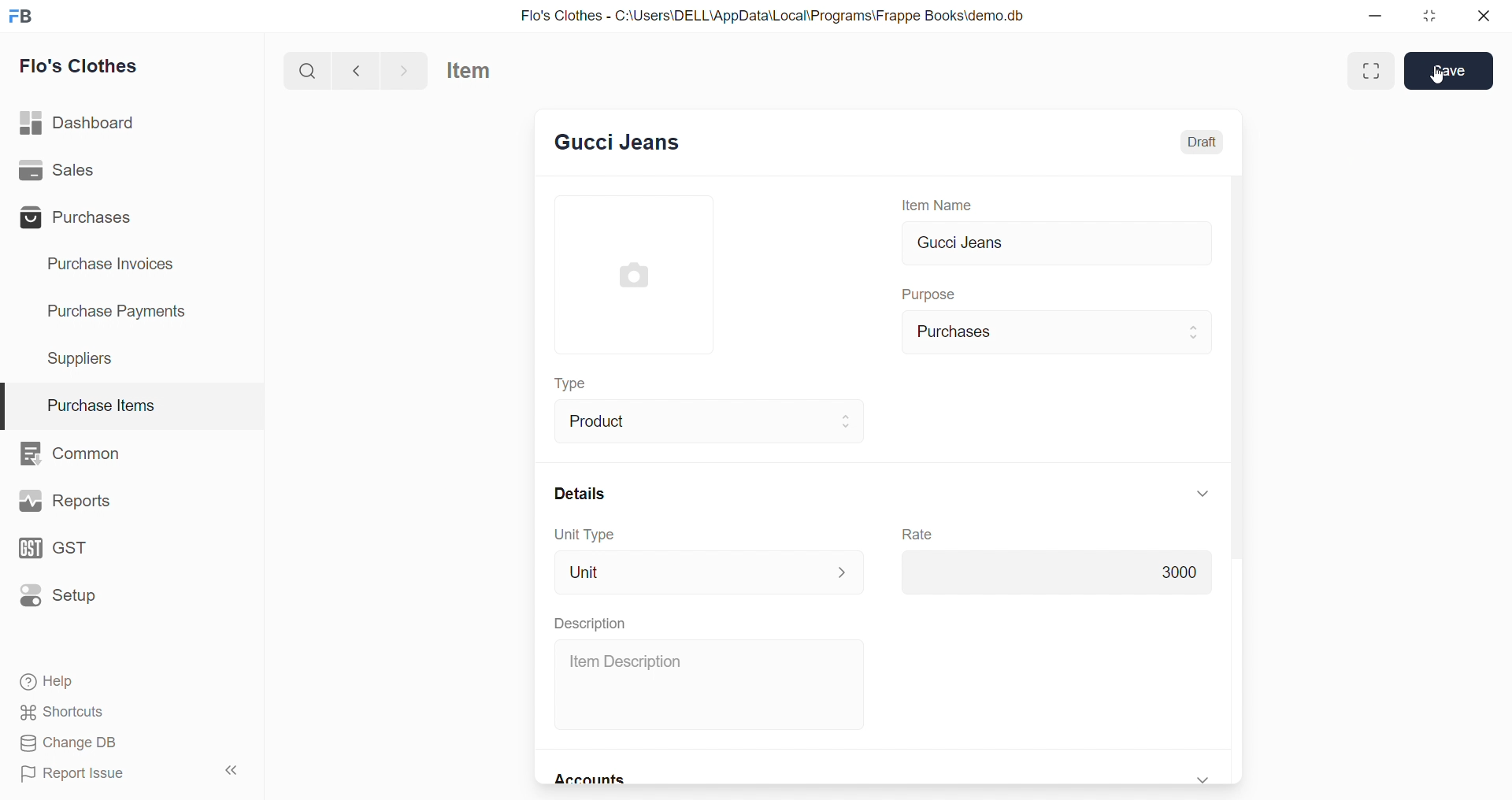  Describe the element at coordinates (66, 501) in the screenshot. I see `Reports` at that location.